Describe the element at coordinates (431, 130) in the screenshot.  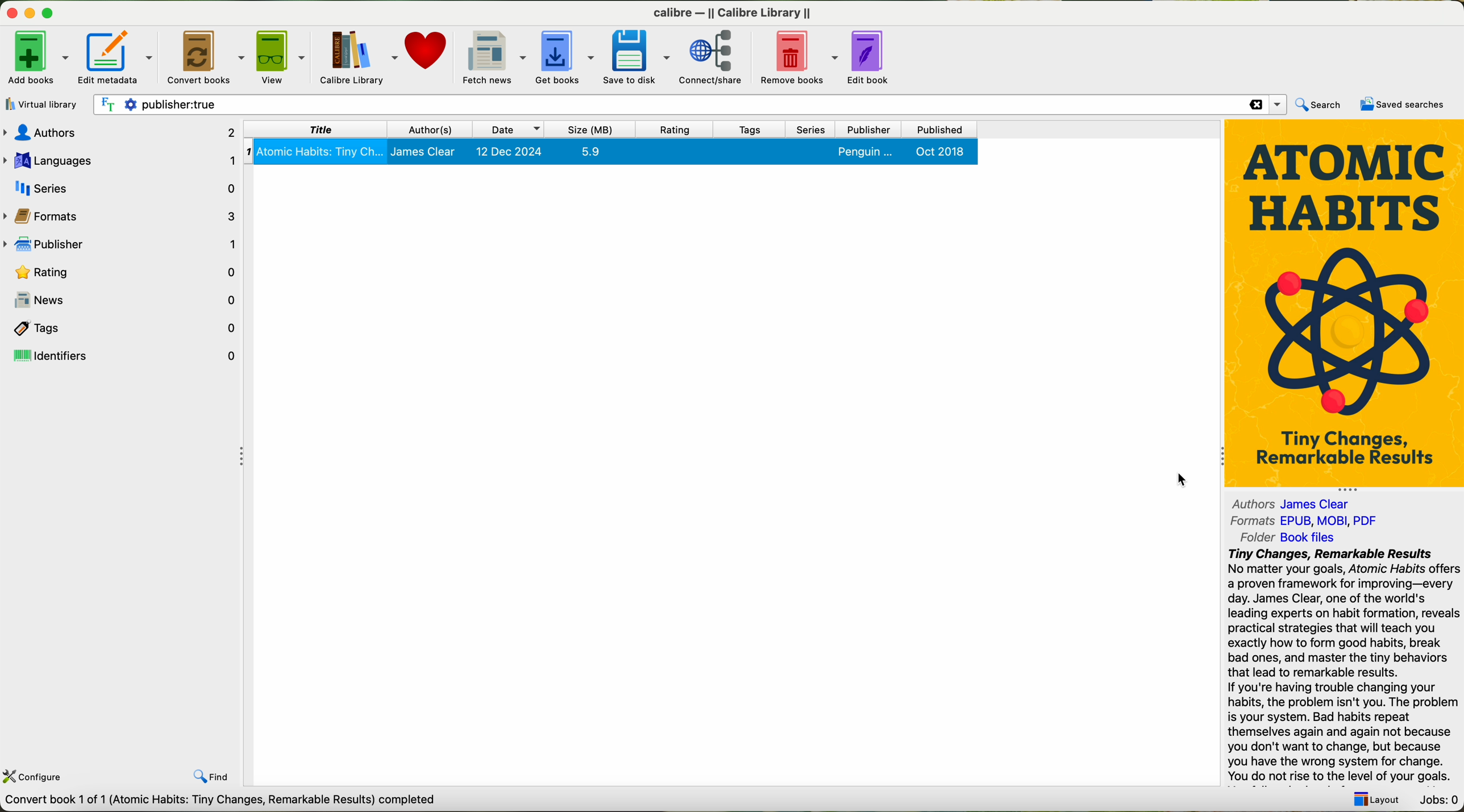
I see `authors` at that location.